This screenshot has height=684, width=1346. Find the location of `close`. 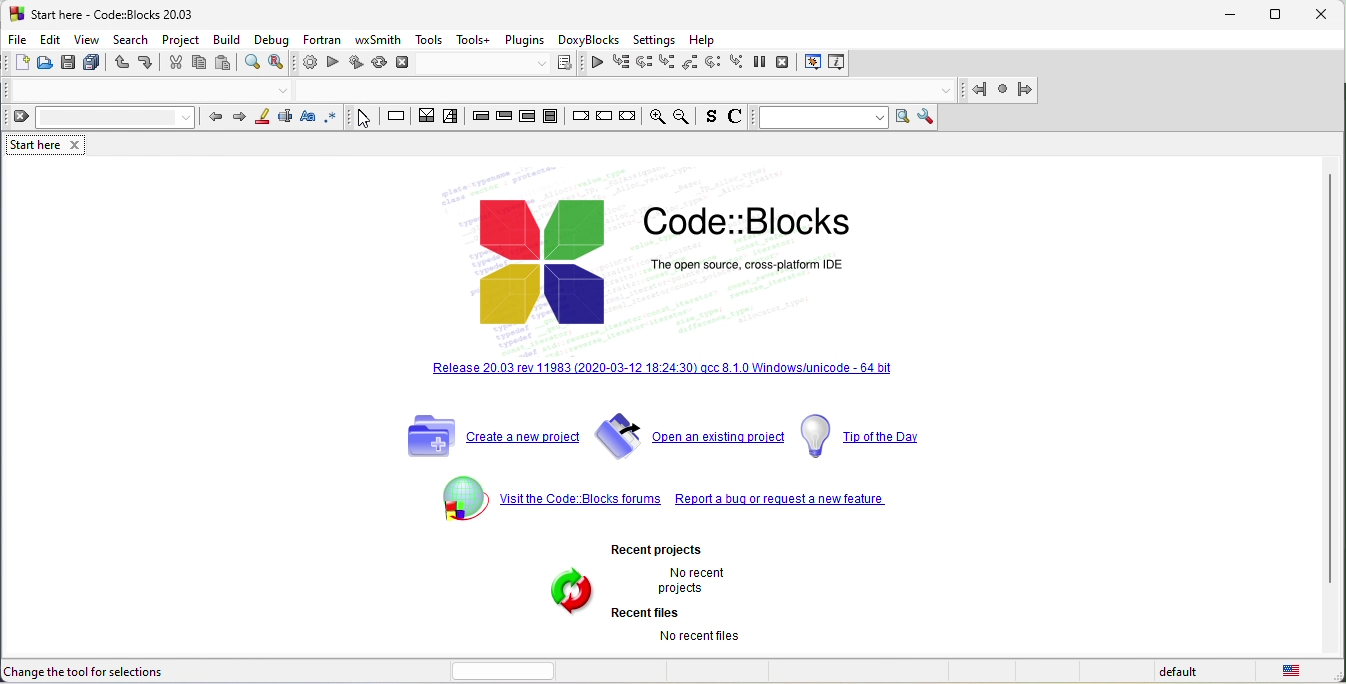

close is located at coordinates (1325, 15).